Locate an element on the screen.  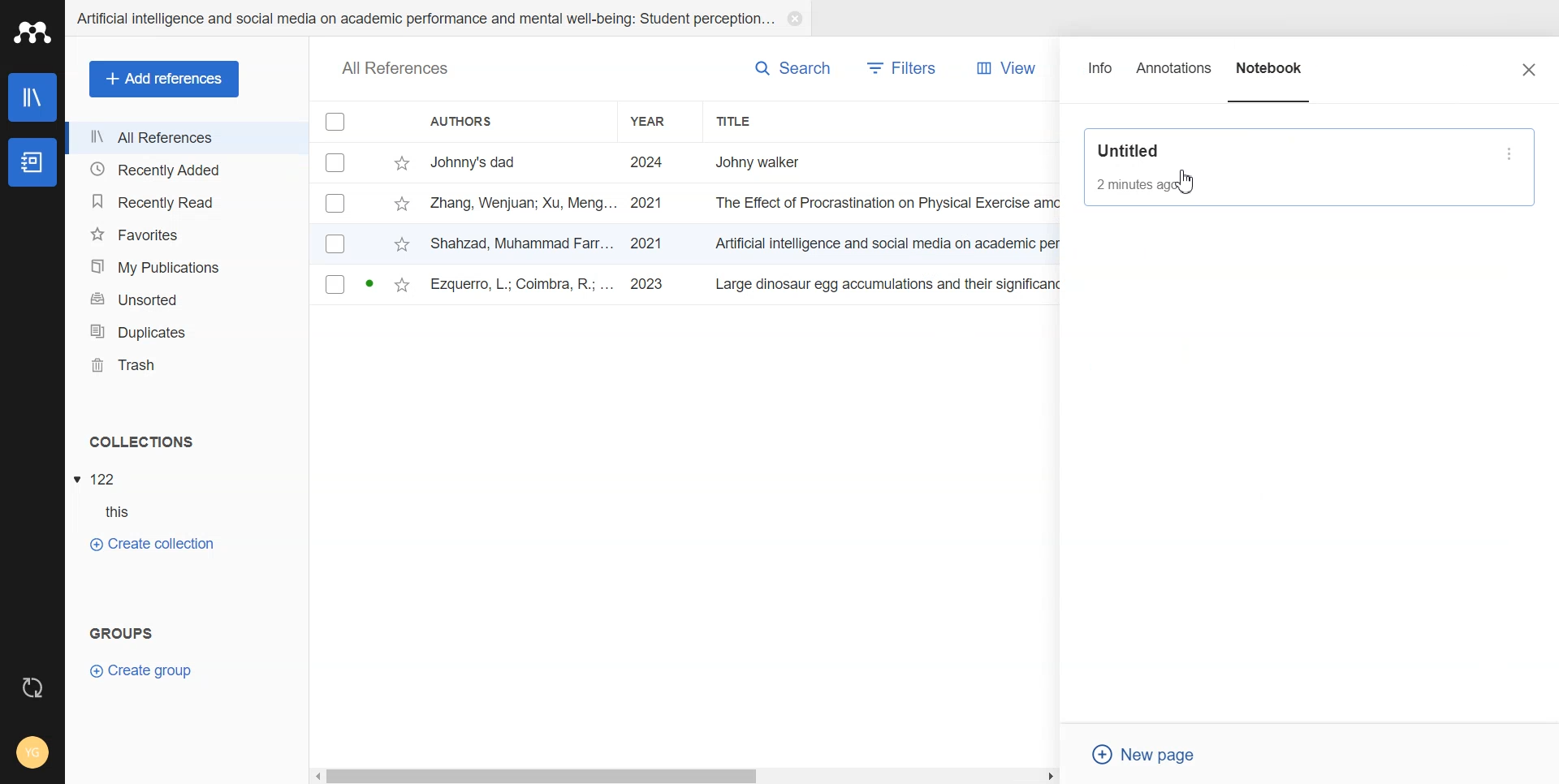
Library is located at coordinates (34, 97).